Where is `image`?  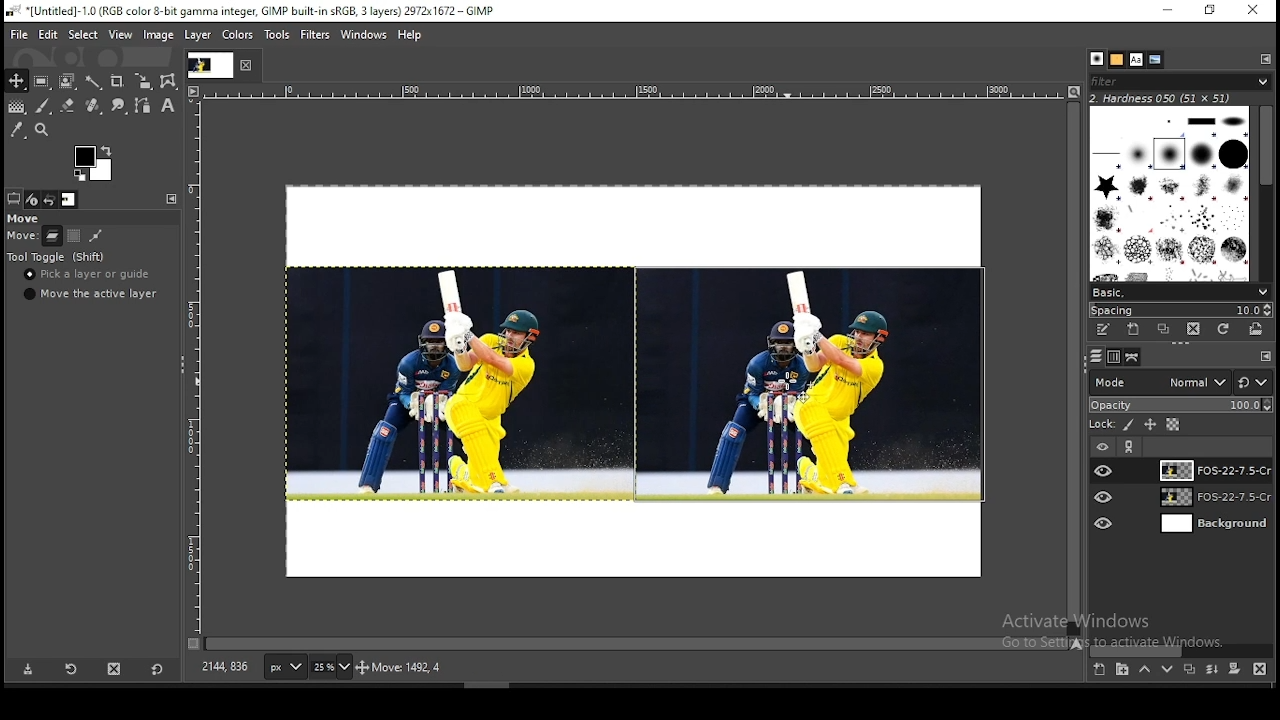 image is located at coordinates (456, 383).